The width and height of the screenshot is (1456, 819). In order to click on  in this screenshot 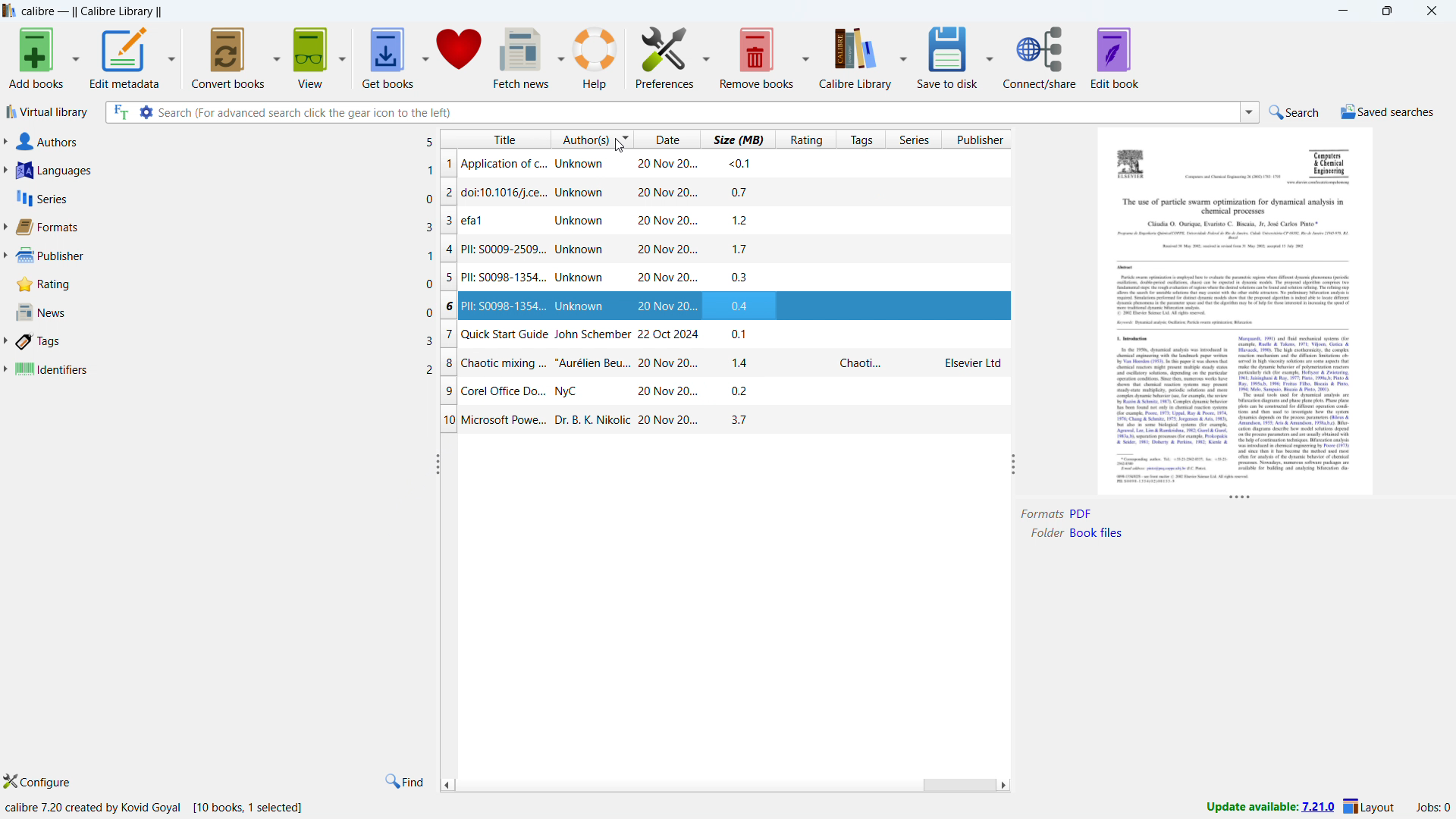, I will do `click(1168, 409)`.